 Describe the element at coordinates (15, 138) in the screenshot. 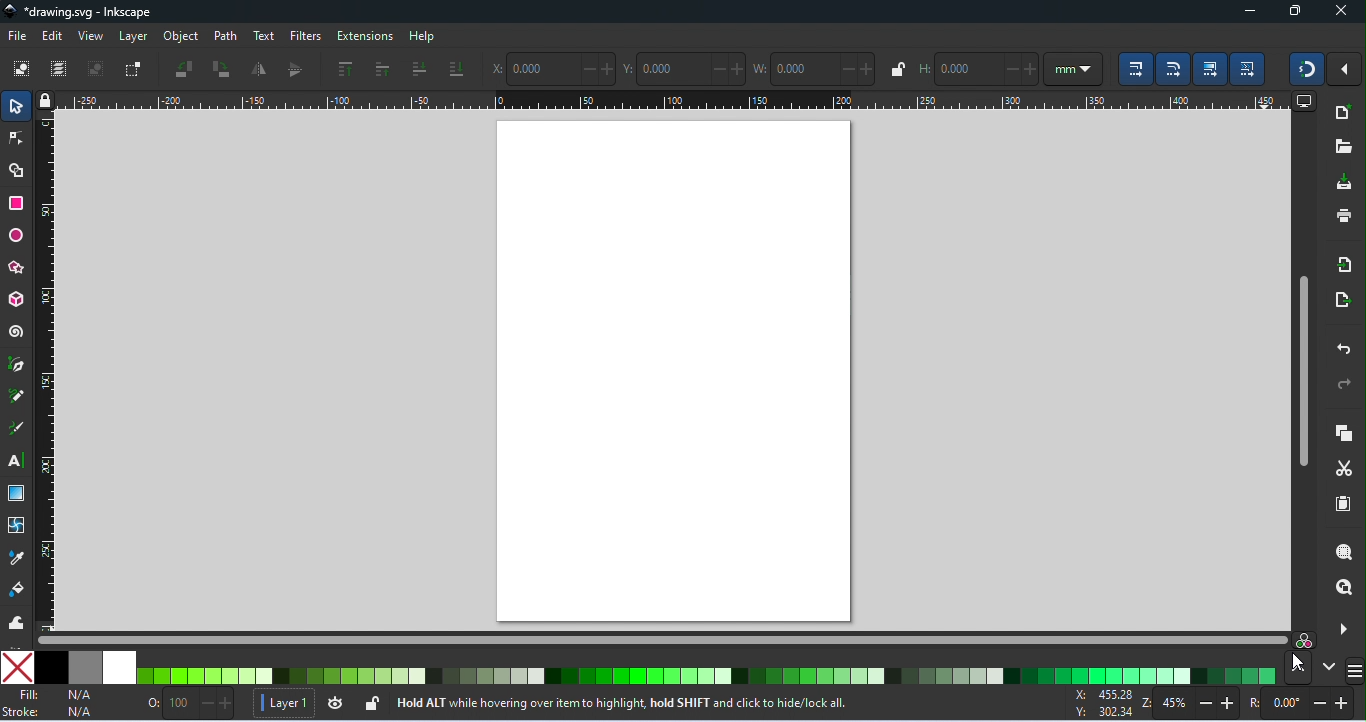

I see `node` at that location.